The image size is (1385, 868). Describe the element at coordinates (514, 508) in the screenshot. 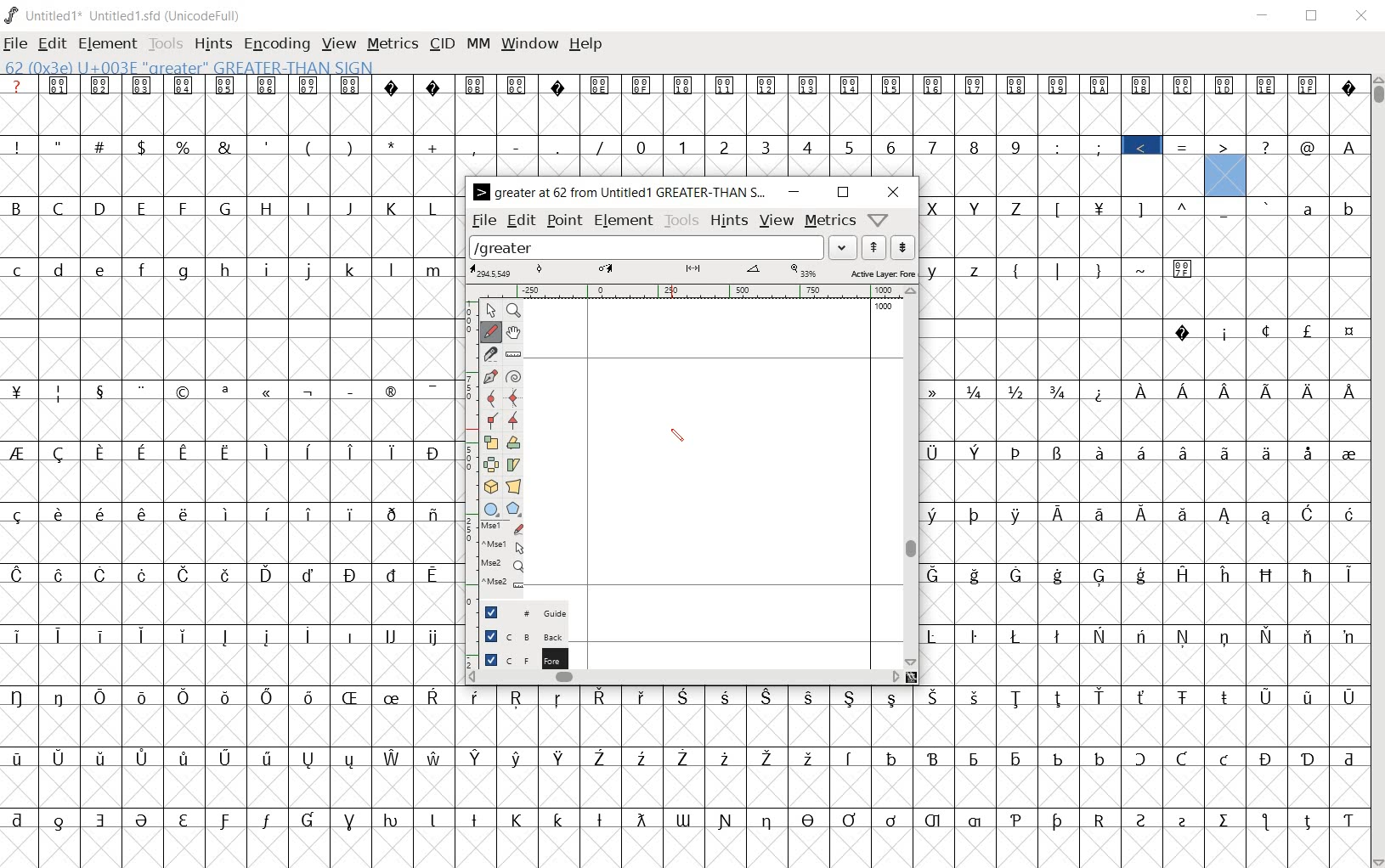

I see `polygon or star` at that location.